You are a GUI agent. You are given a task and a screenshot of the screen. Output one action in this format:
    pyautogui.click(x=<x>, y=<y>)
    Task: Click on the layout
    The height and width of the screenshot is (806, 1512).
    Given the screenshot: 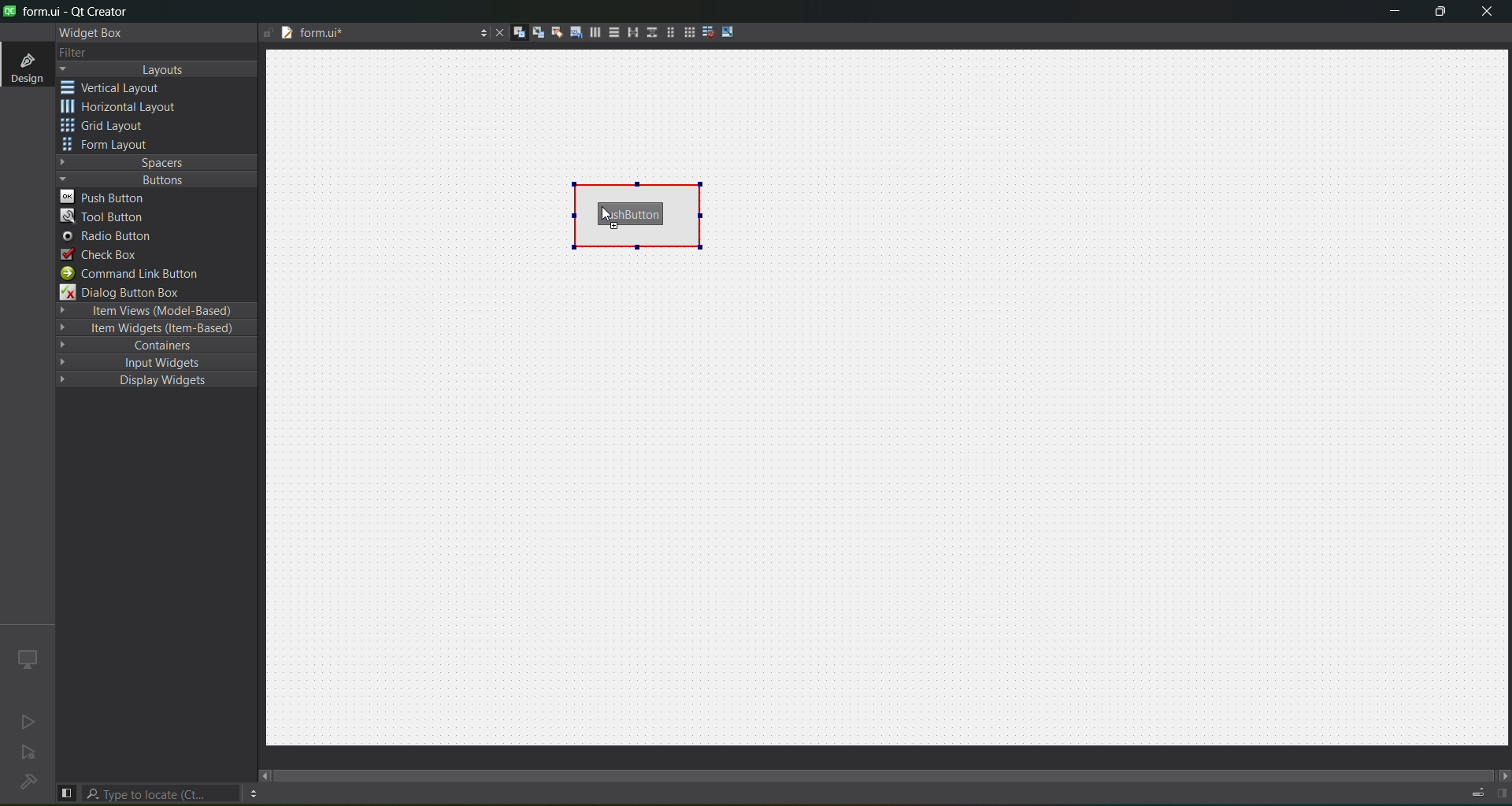 What is the action you would take?
    pyautogui.click(x=160, y=70)
    